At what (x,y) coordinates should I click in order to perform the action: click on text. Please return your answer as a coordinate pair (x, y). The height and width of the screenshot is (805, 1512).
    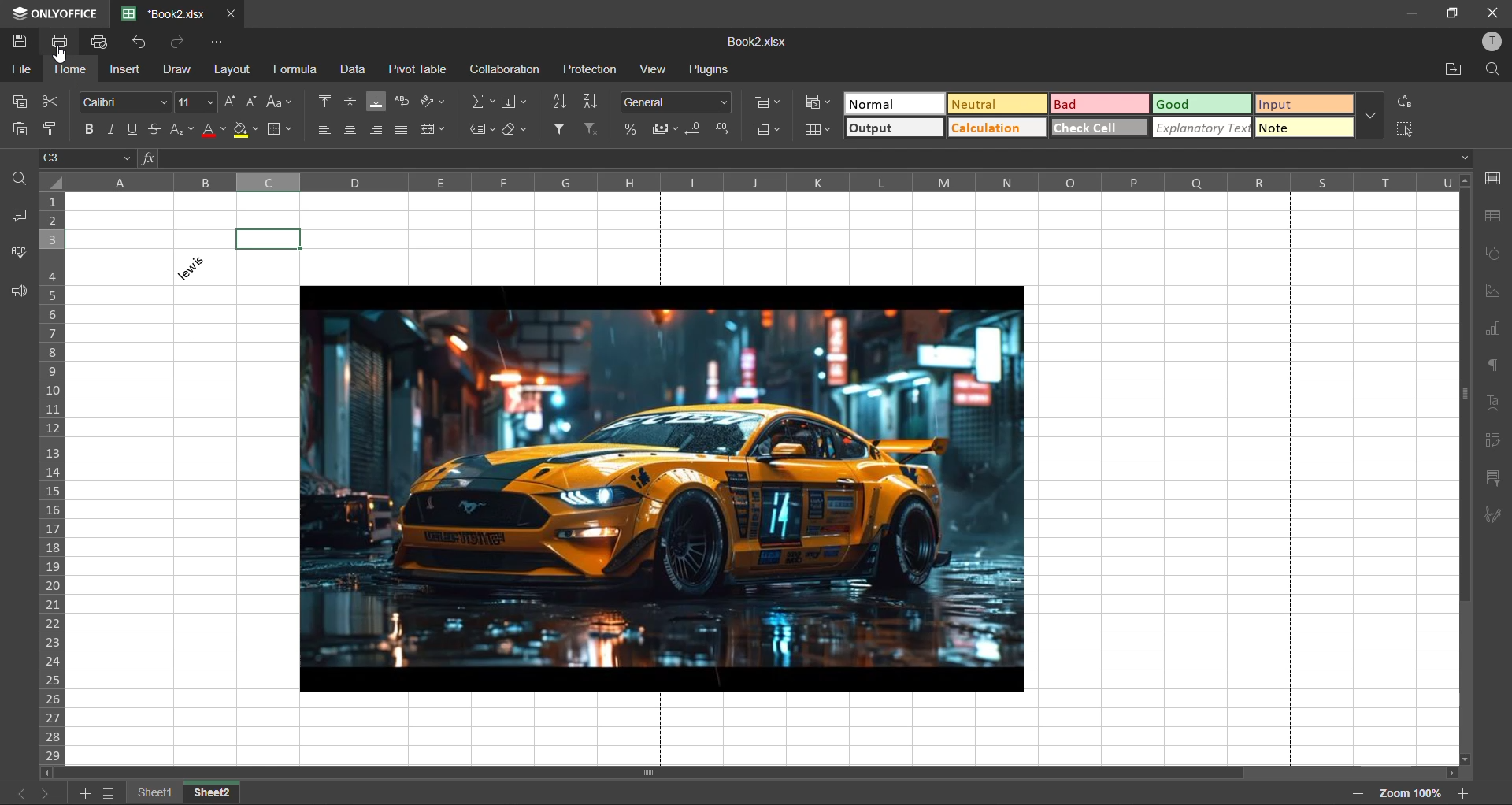
    Looking at the image, I should click on (1492, 403).